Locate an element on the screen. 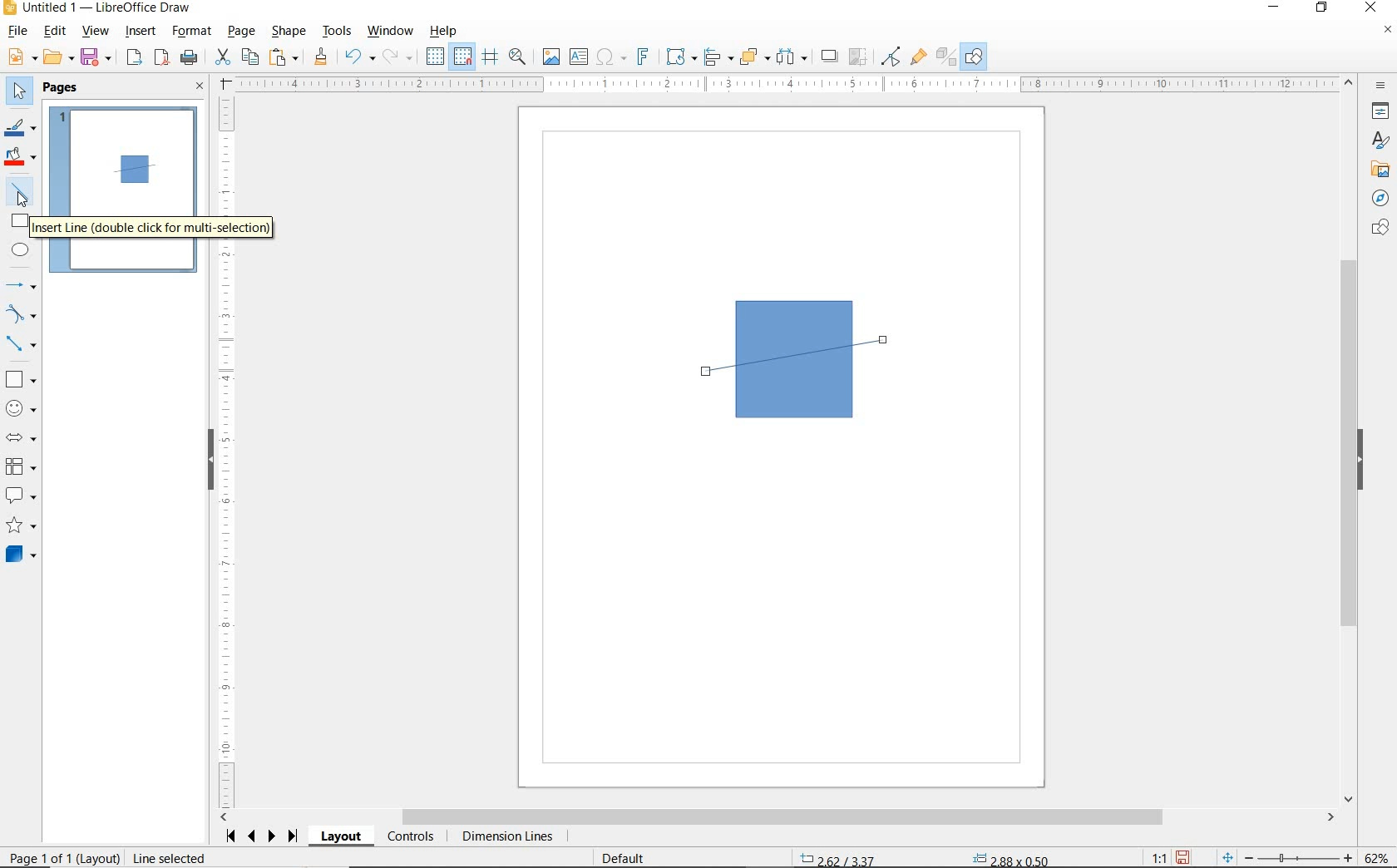  DEFAULT is located at coordinates (629, 859).